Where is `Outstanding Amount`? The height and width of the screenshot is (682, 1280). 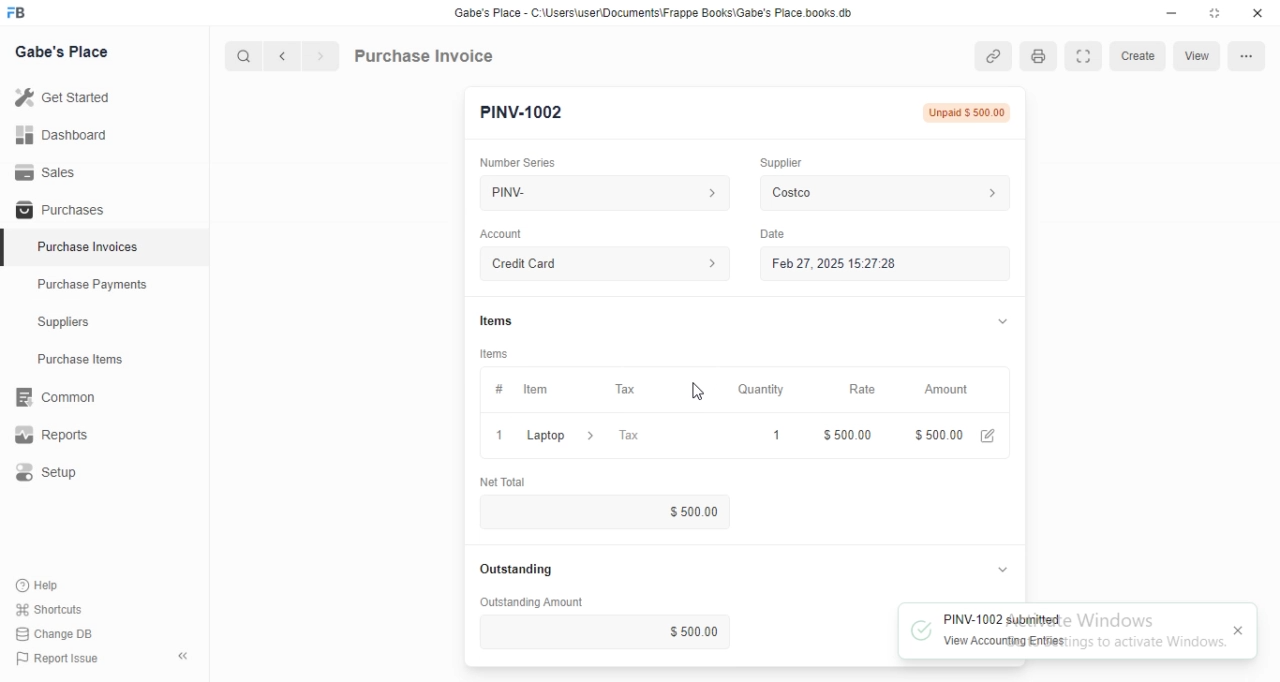 Outstanding Amount is located at coordinates (532, 603).